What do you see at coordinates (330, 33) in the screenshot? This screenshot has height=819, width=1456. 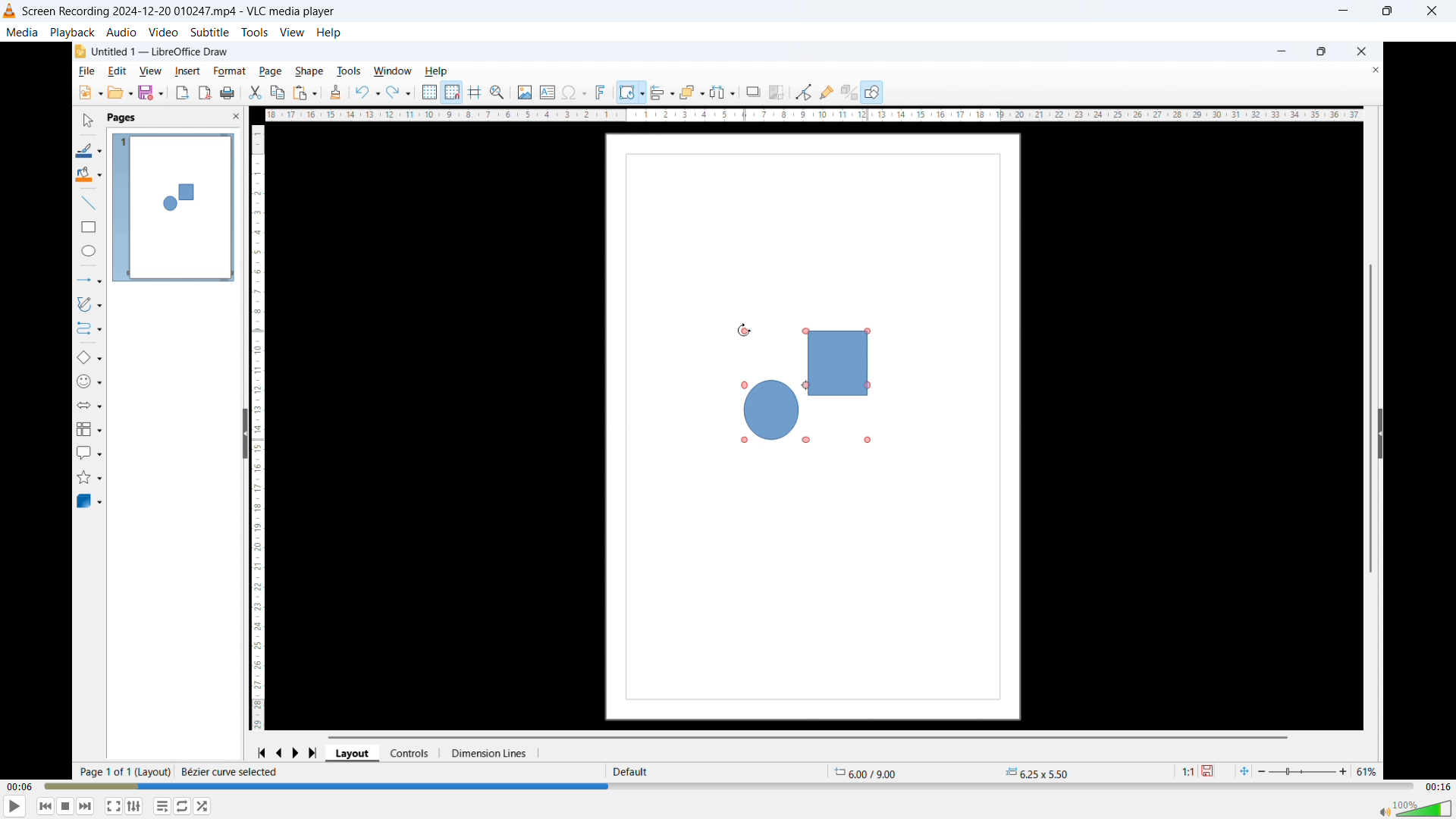 I see `help ` at bounding box center [330, 33].